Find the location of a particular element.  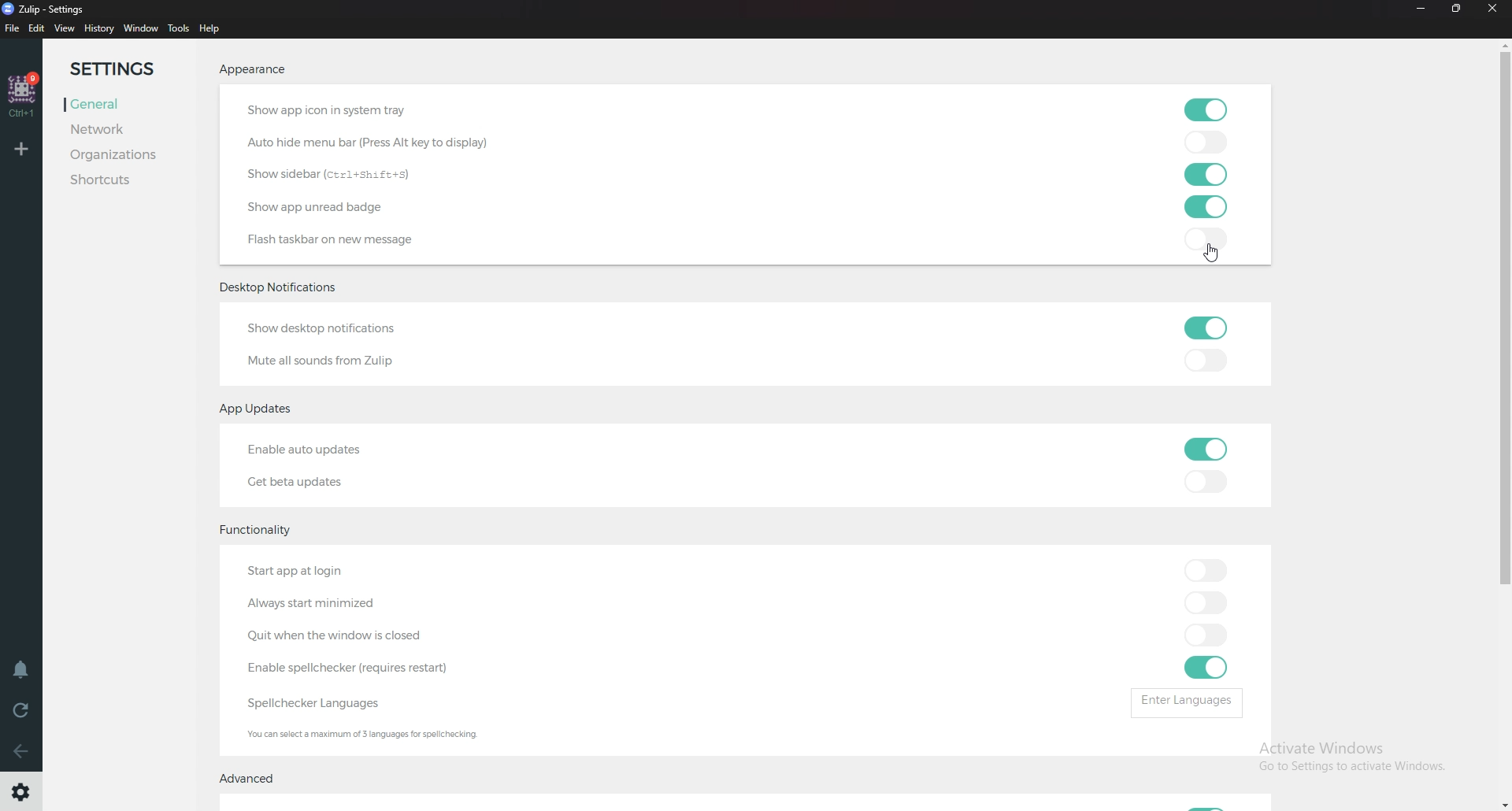

App updates is located at coordinates (264, 409).